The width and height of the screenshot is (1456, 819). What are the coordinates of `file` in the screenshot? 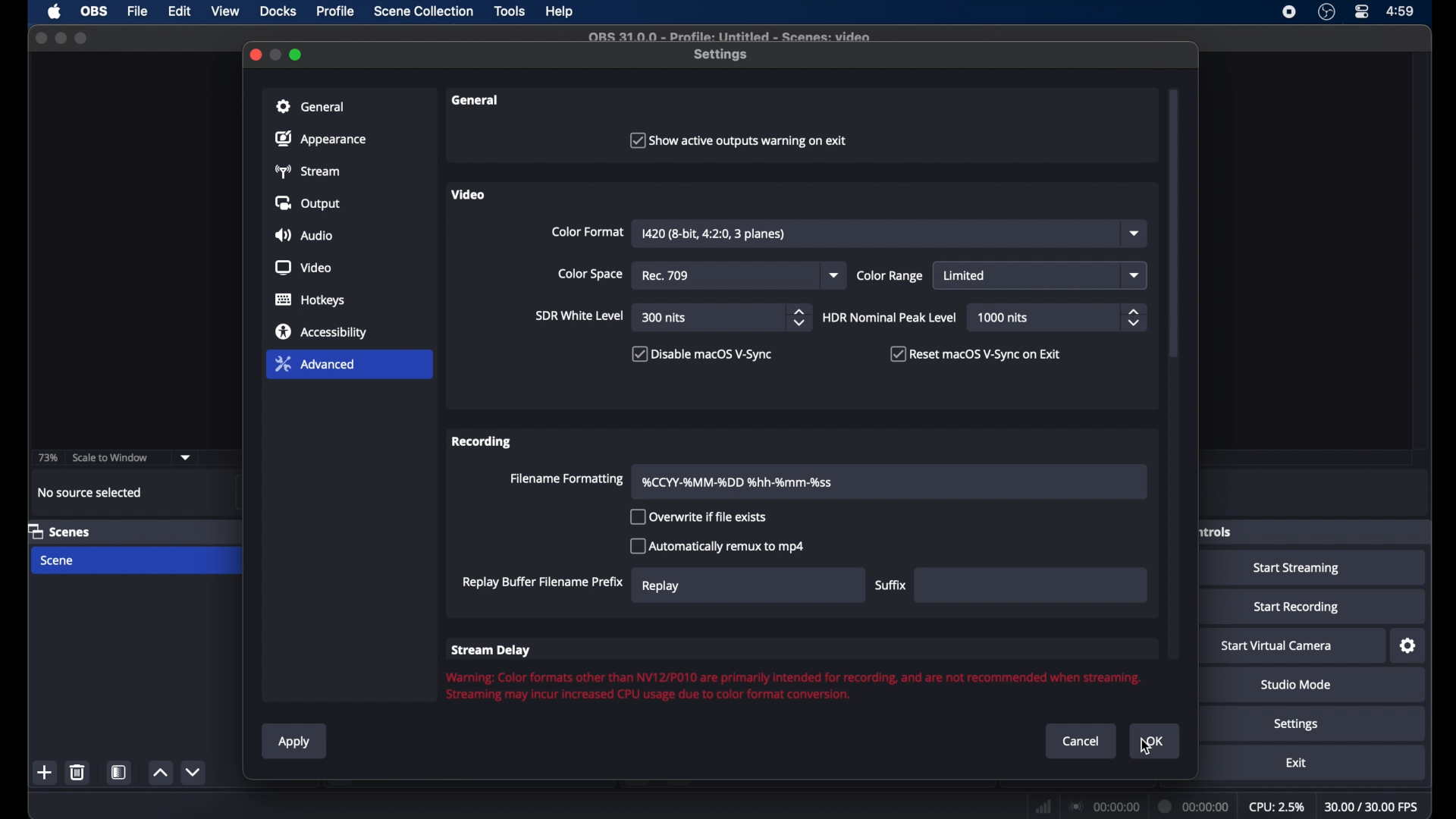 It's located at (140, 11).